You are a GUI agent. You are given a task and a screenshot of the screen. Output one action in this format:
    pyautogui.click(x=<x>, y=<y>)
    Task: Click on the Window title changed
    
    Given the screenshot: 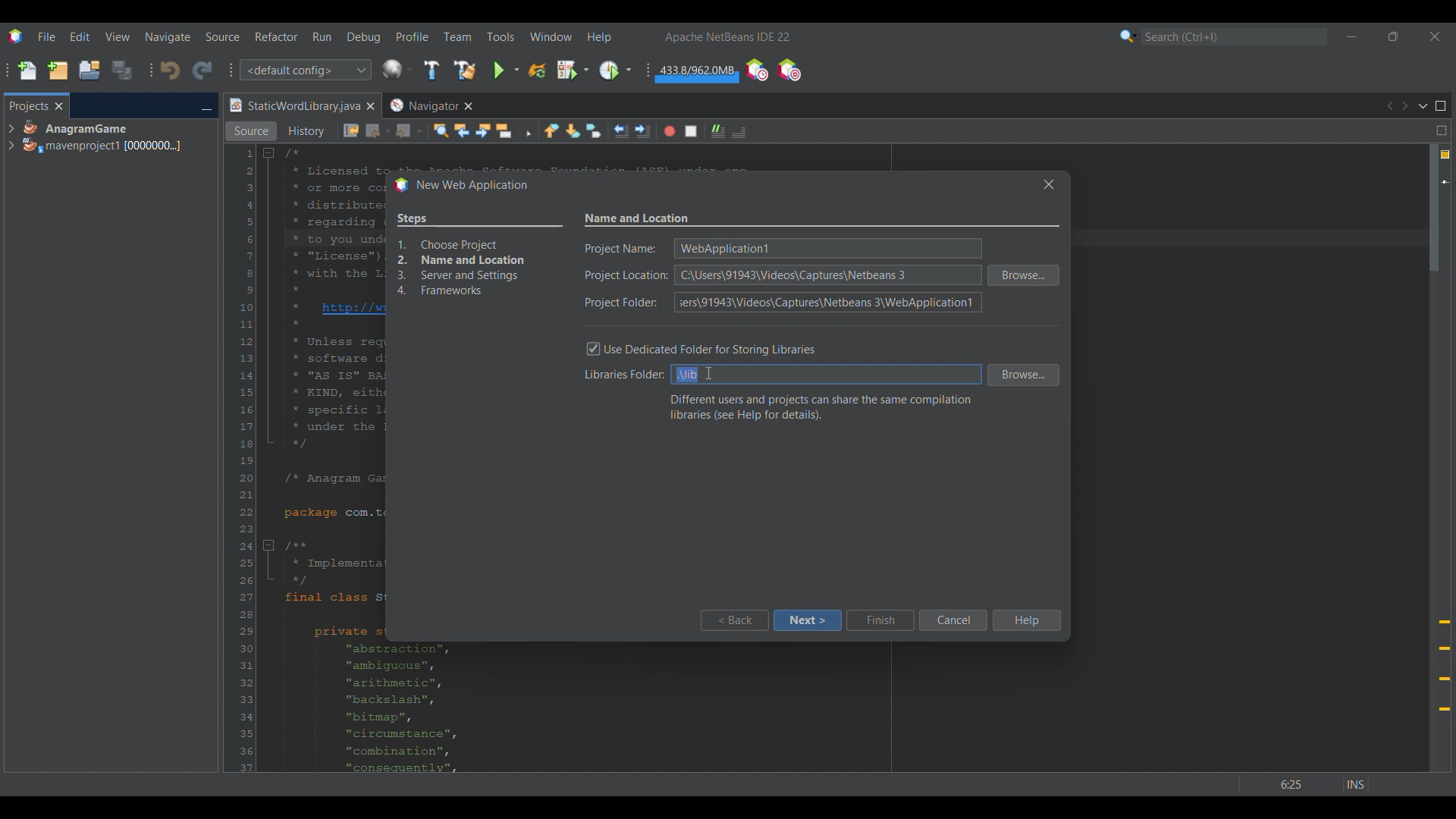 What is the action you would take?
    pyautogui.click(x=460, y=186)
    